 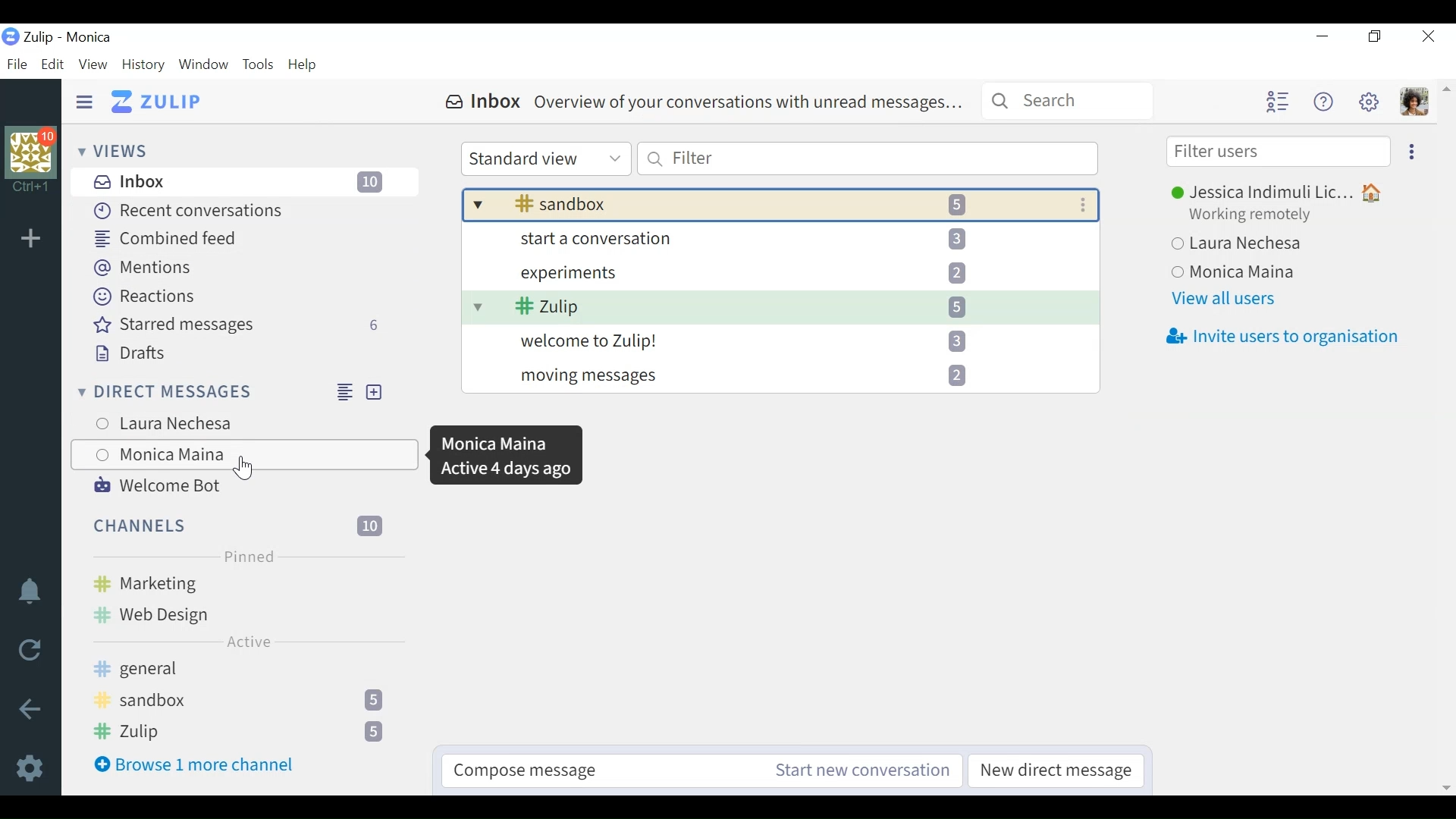 I want to click on Cursor, so click(x=245, y=470).